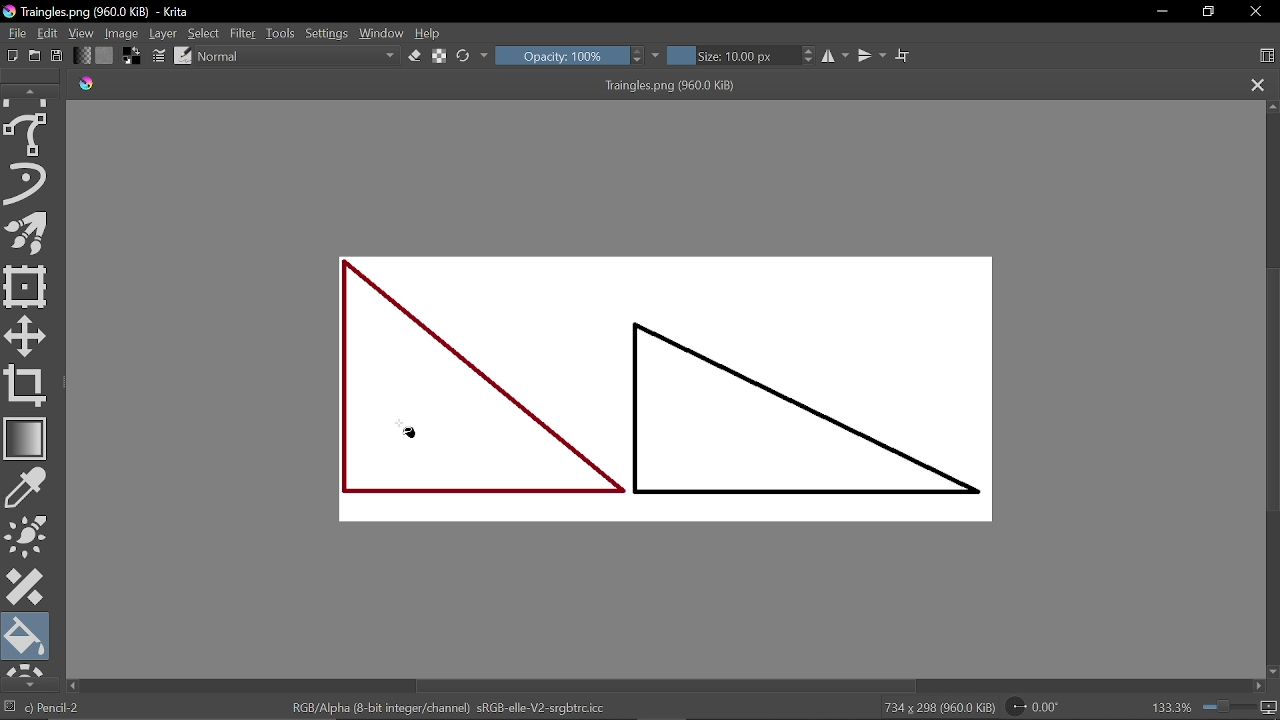 This screenshot has height=720, width=1280. I want to click on Move a layer, so click(28, 336).